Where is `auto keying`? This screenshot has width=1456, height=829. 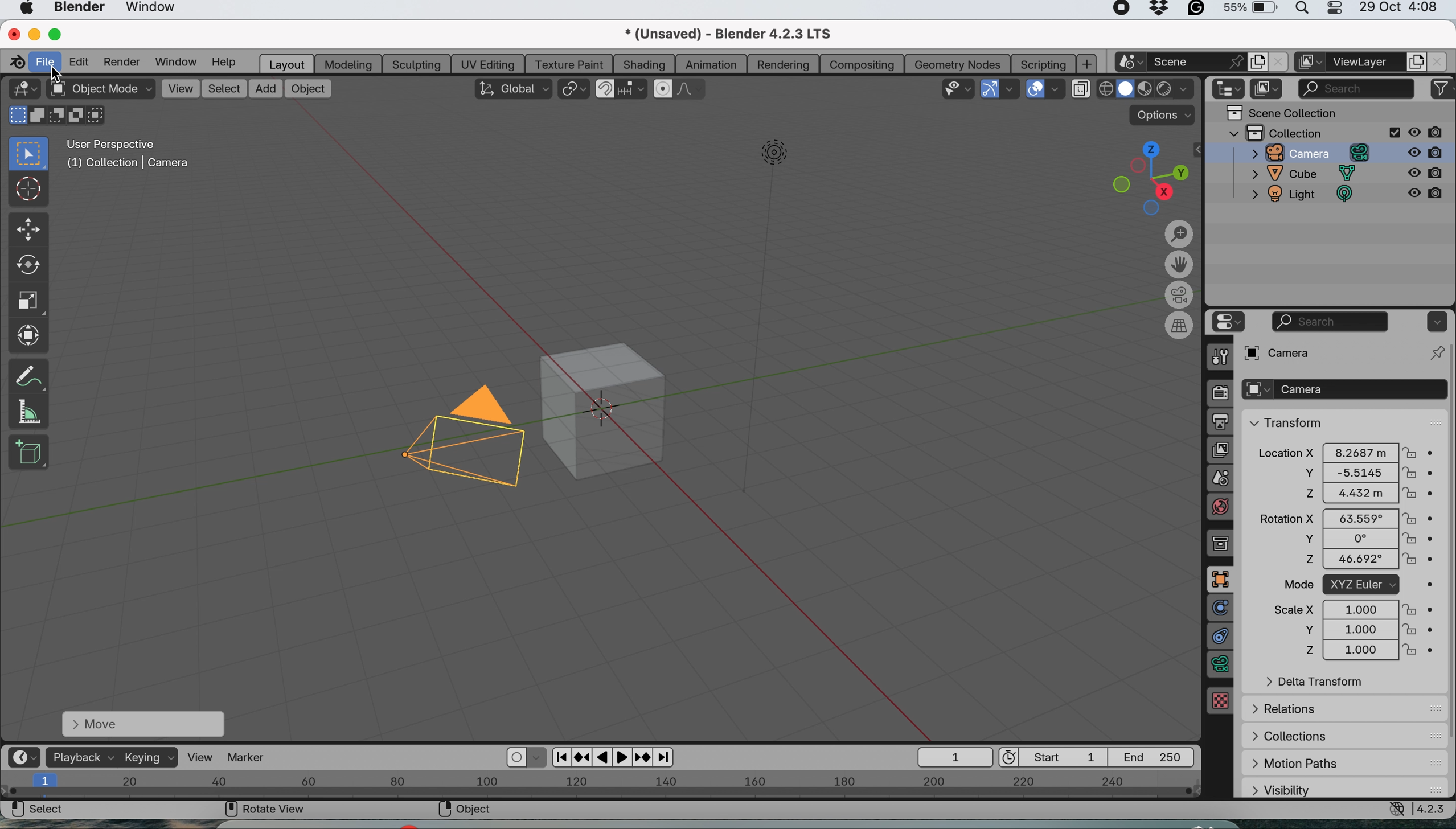 auto keying is located at coordinates (514, 757).